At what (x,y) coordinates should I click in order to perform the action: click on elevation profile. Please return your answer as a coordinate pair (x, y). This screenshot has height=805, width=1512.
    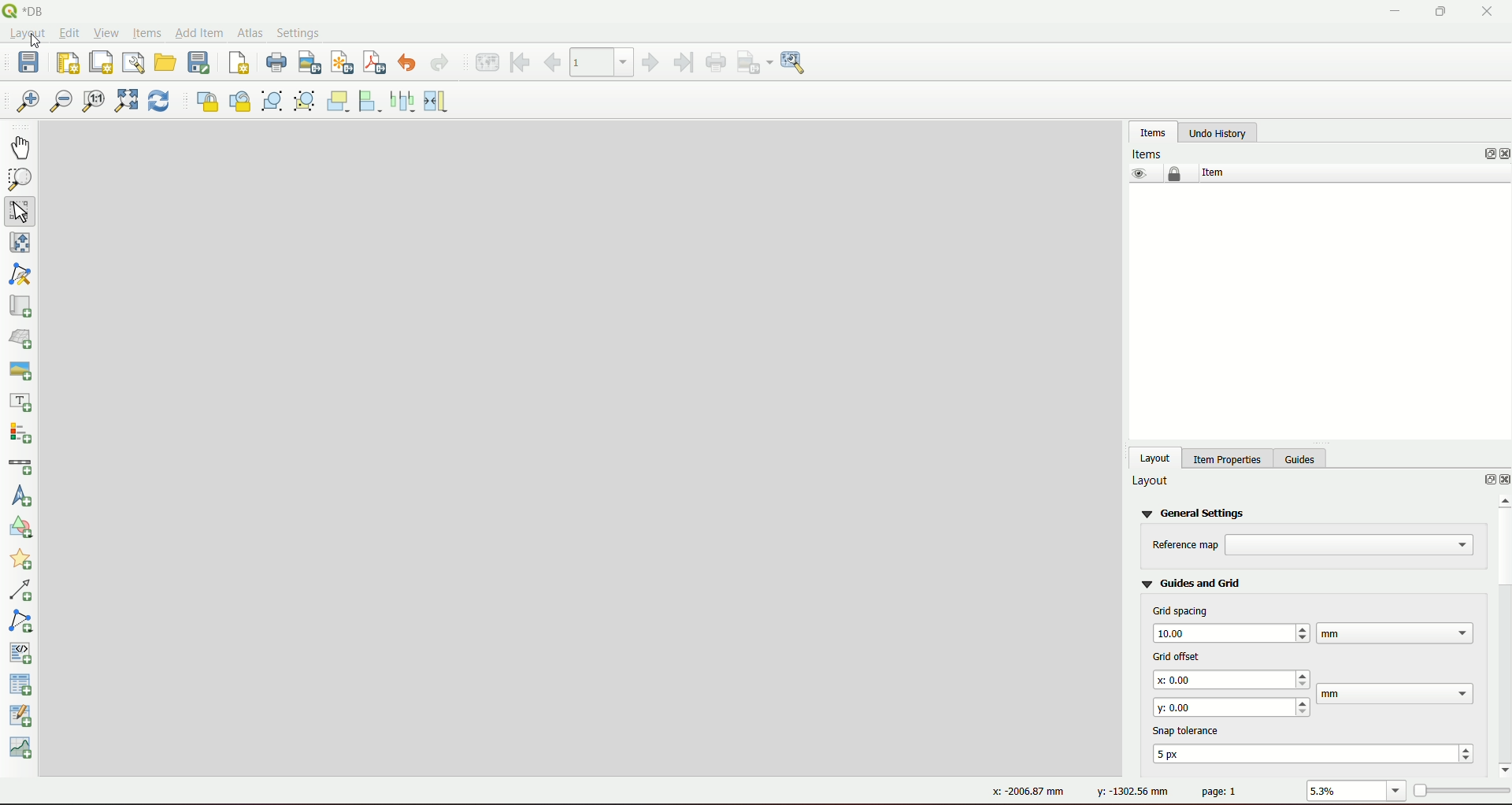
    Looking at the image, I should click on (24, 750).